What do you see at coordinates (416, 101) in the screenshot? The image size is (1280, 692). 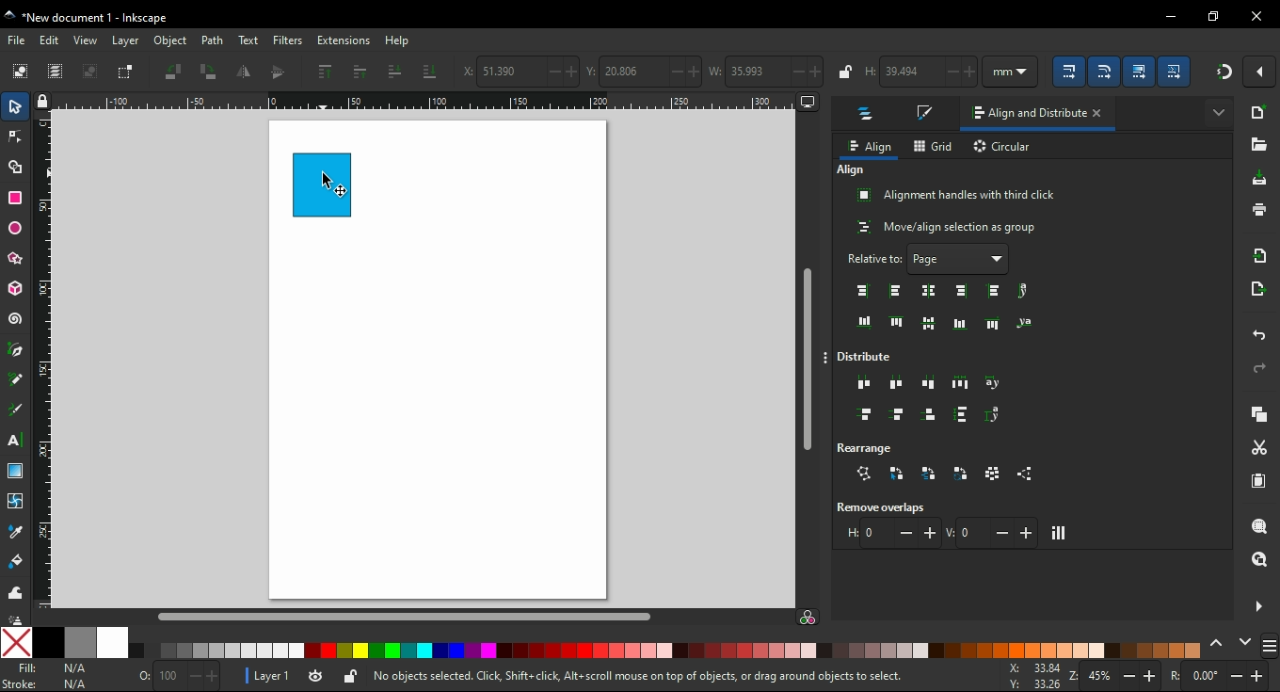 I see `Horizontal ruler` at bounding box center [416, 101].